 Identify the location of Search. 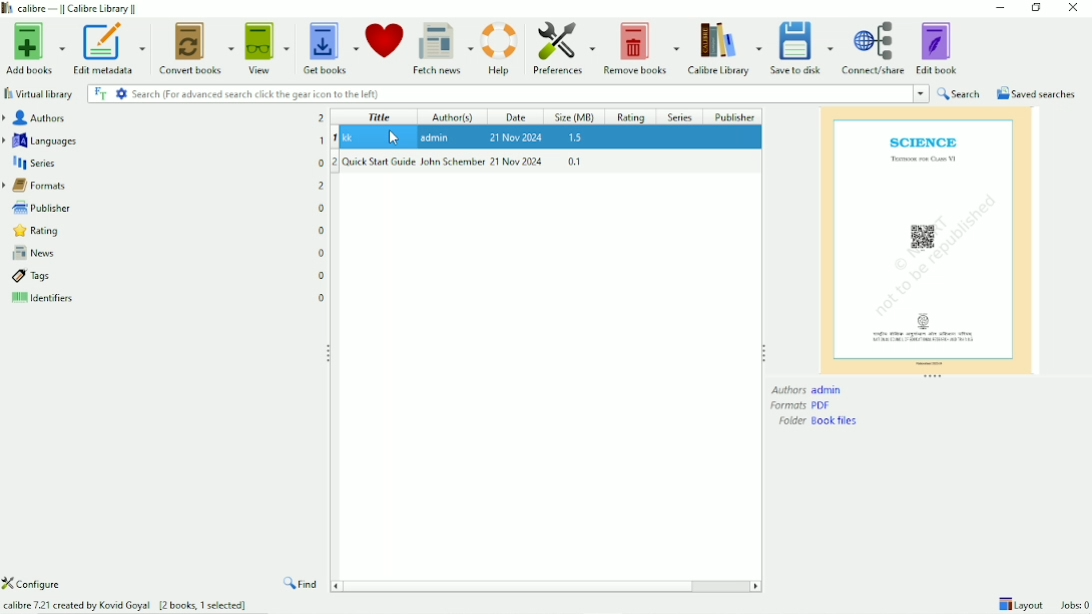
(499, 93).